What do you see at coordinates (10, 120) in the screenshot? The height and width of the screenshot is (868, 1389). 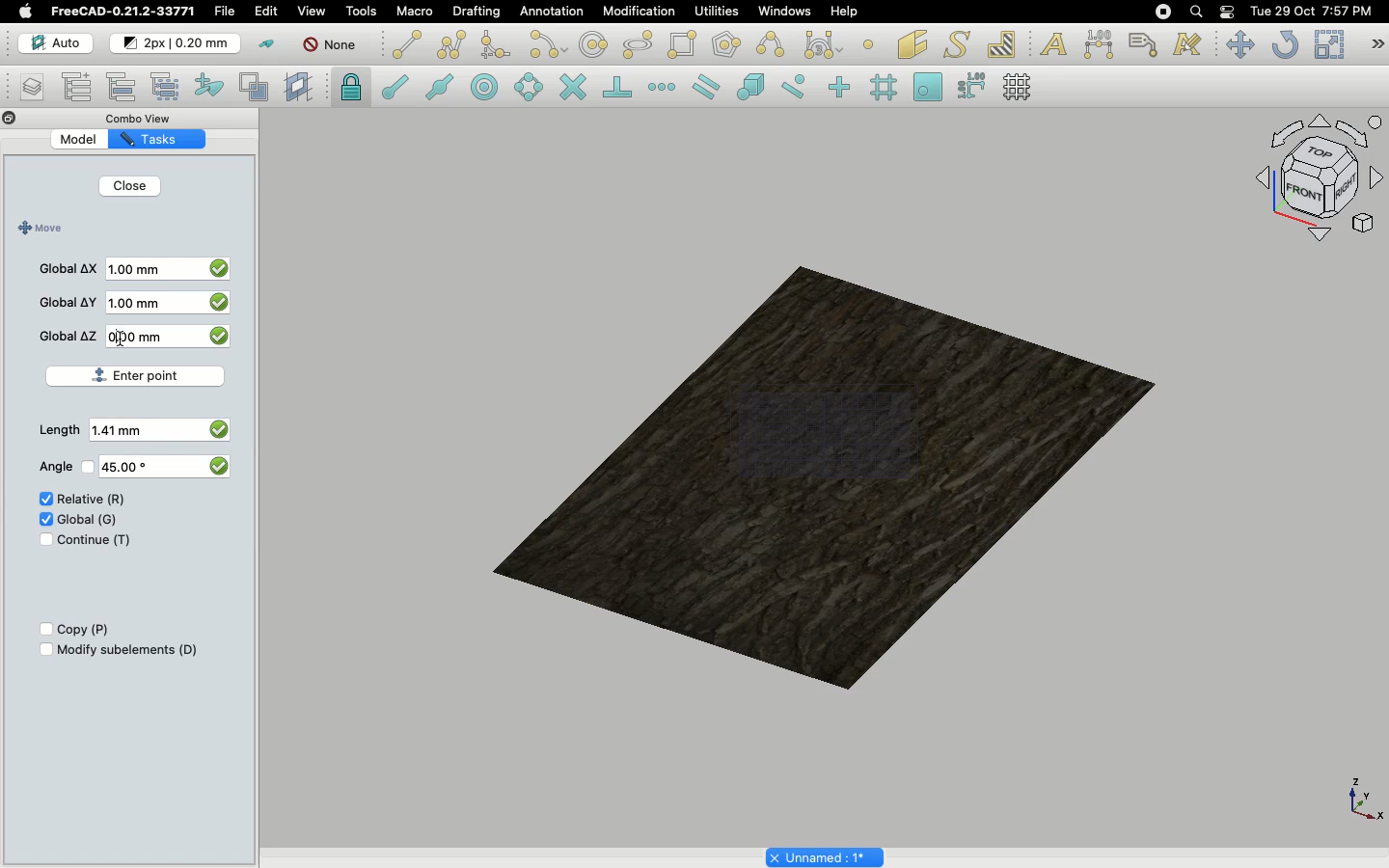 I see `Close` at bounding box center [10, 120].